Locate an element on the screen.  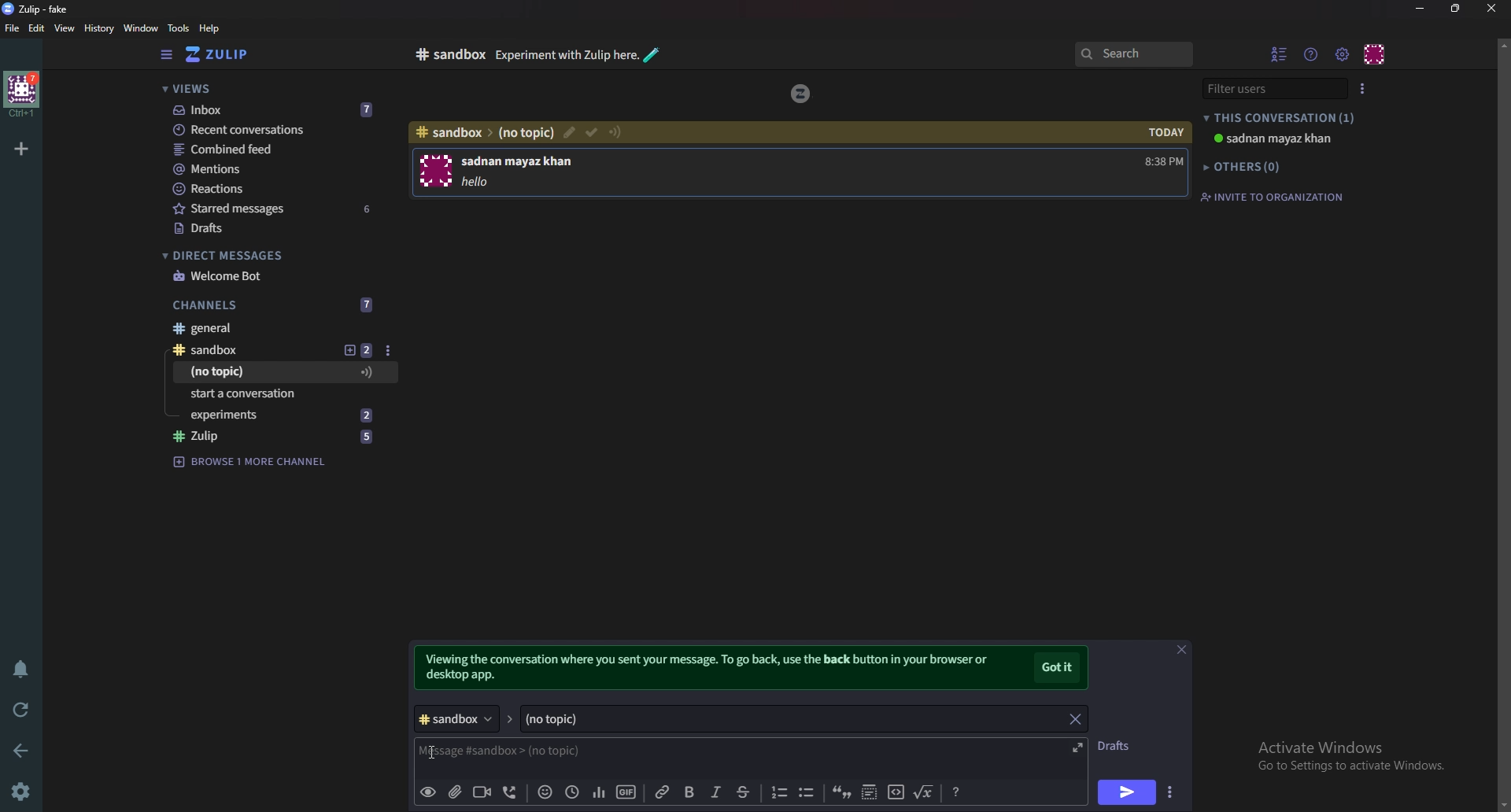
invite to organization is located at coordinates (1280, 196).